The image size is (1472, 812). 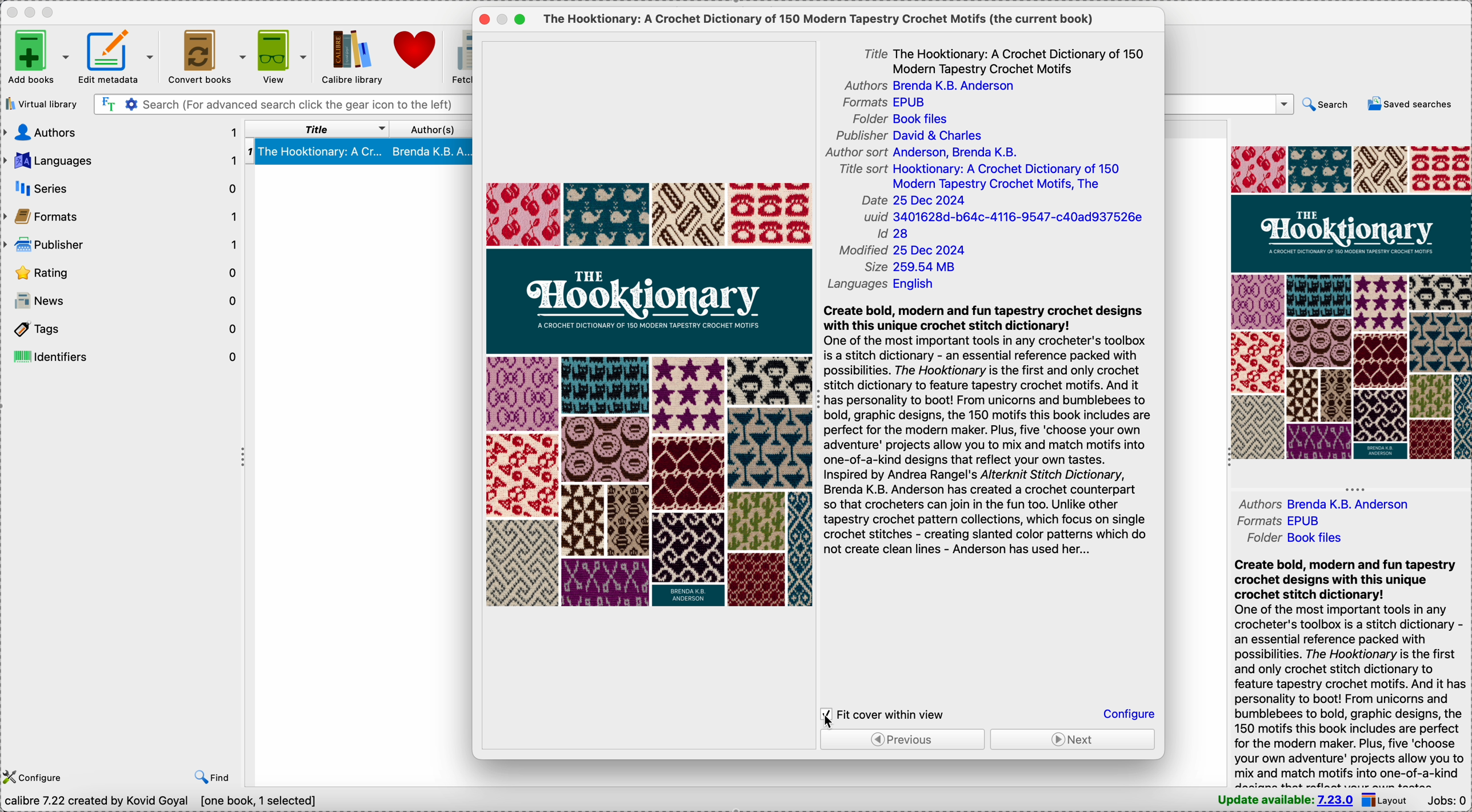 What do you see at coordinates (991, 430) in the screenshot?
I see `synopsis` at bounding box center [991, 430].